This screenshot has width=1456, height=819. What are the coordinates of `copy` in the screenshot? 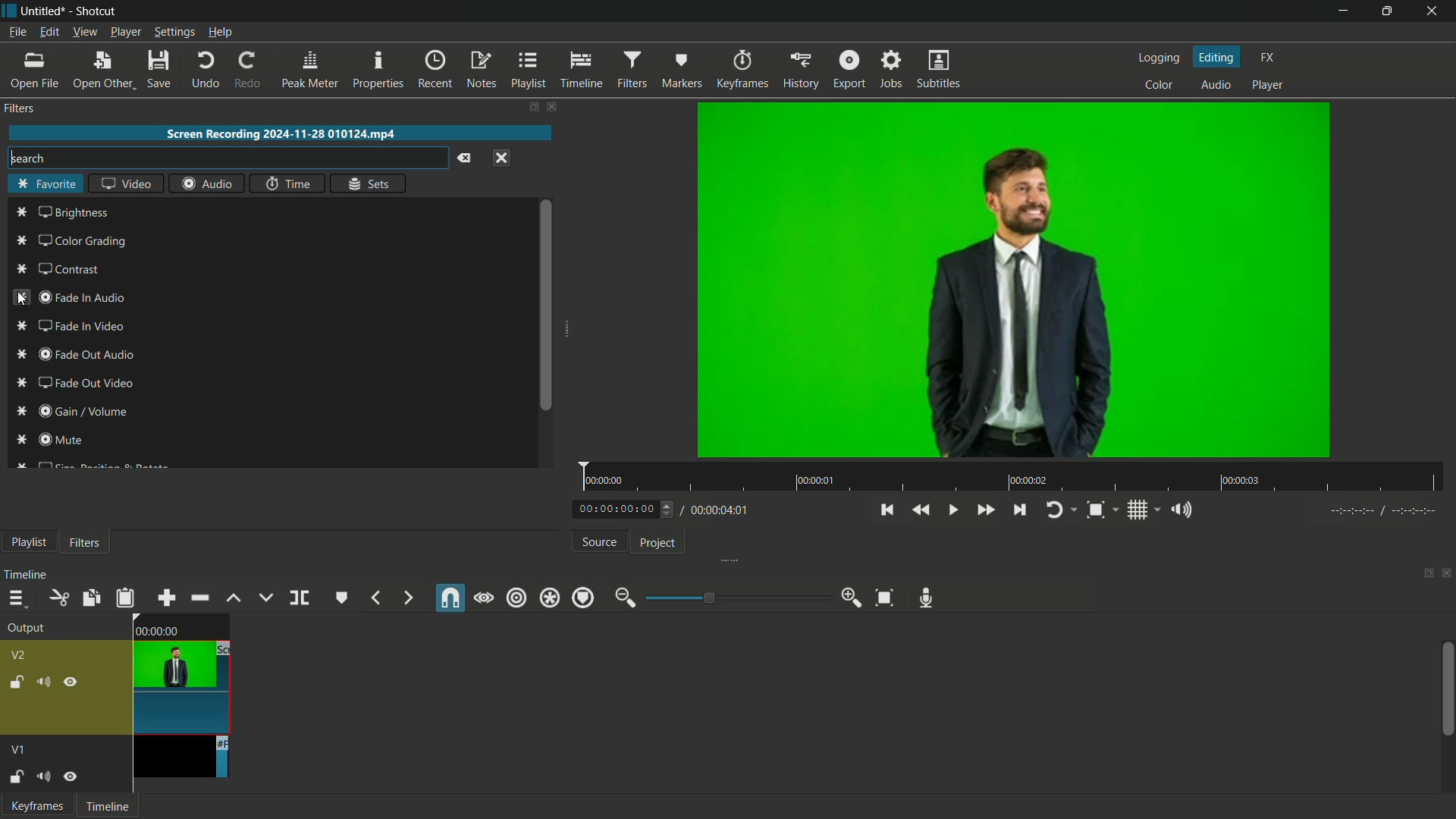 It's located at (90, 598).